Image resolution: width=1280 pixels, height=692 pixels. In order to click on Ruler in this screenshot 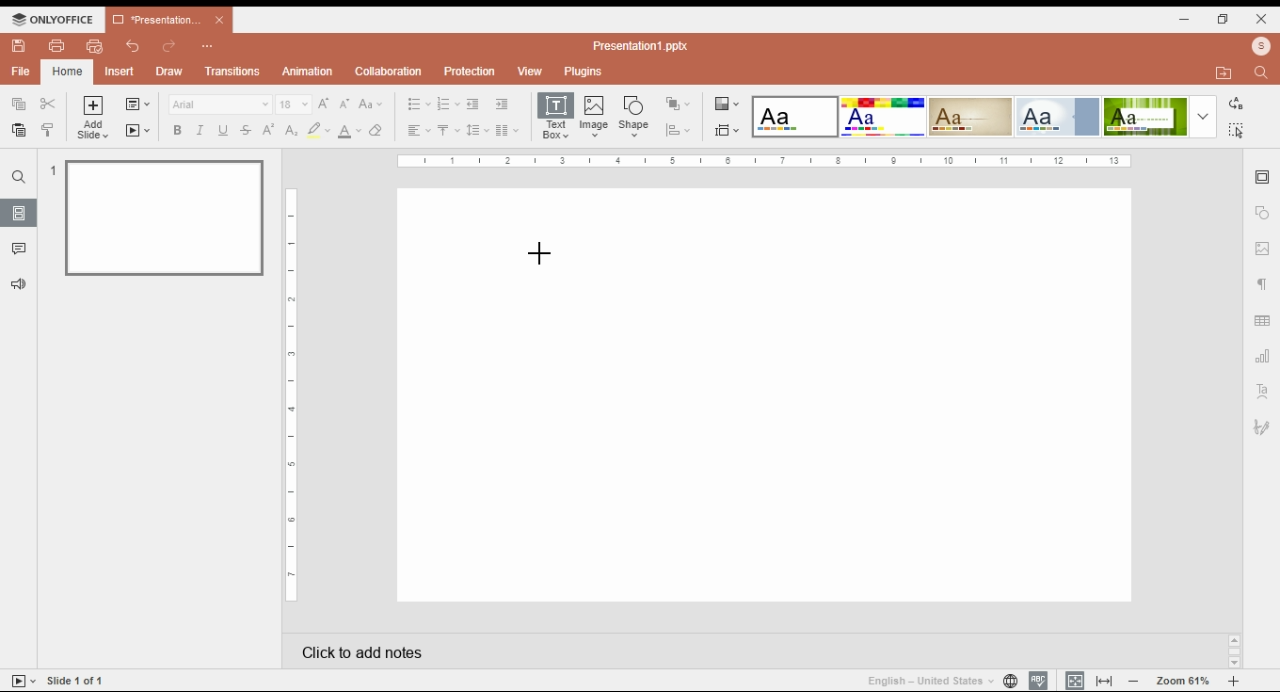, I will do `click(763, 162)`.